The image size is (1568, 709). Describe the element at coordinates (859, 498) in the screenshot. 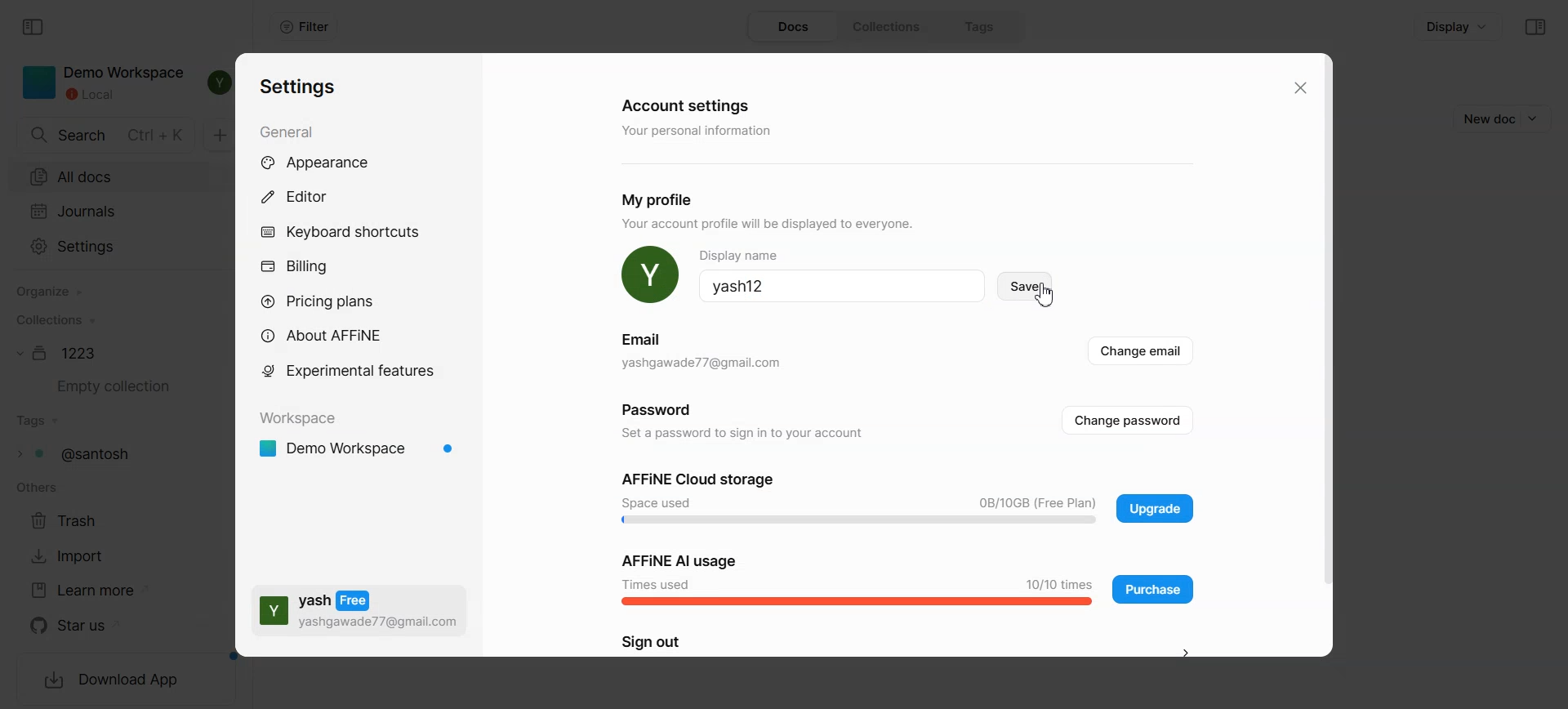

I see `AFFine cloud storage Space used ` at that location.